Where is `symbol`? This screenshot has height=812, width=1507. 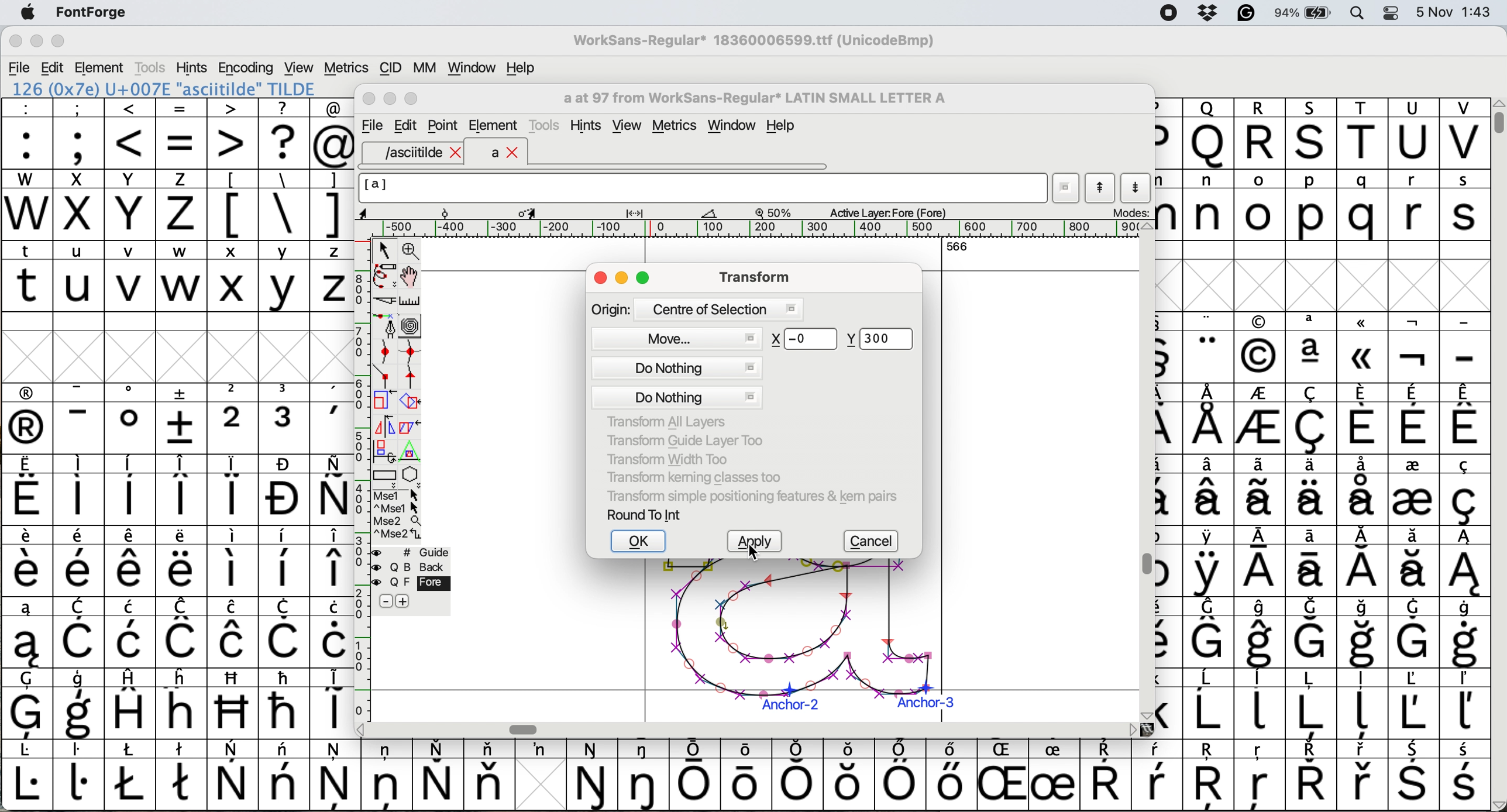 symbol is located at coordinates (1463, 704).